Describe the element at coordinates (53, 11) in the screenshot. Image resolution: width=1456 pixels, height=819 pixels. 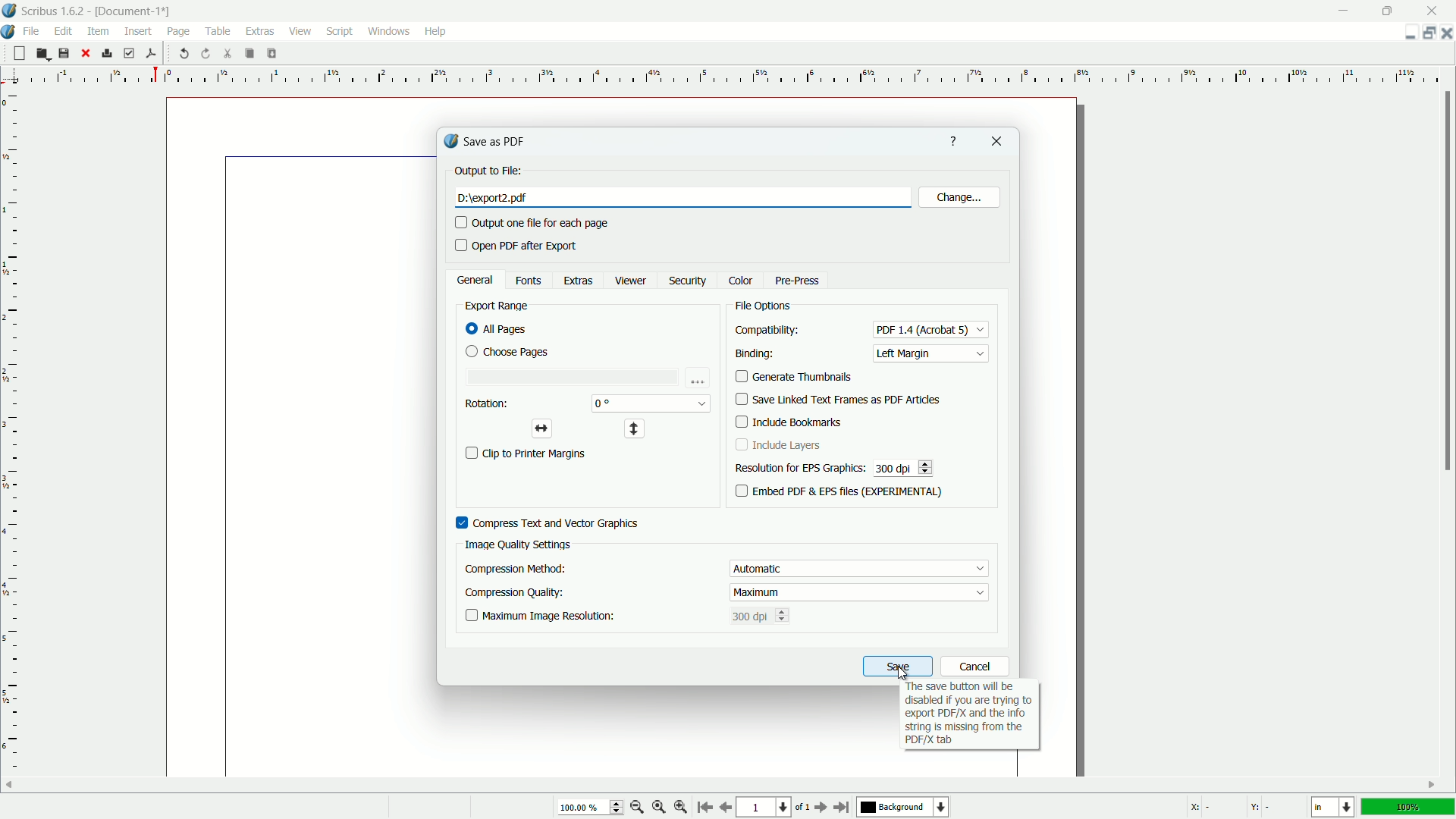
I see `app name` at that location.